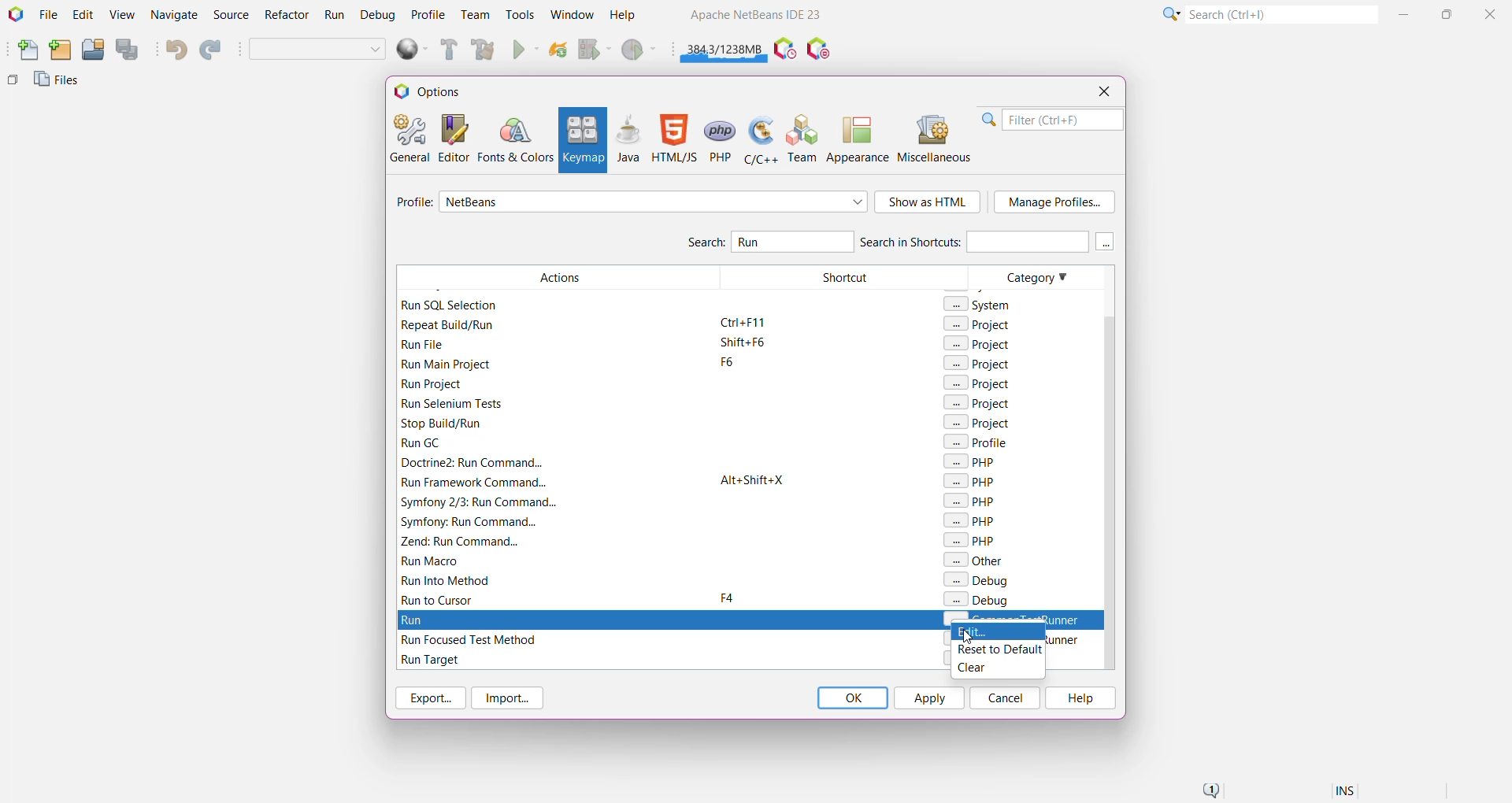  Describe the element at coordinates (630, 17) in the screenshot. I see `Help` at that location.